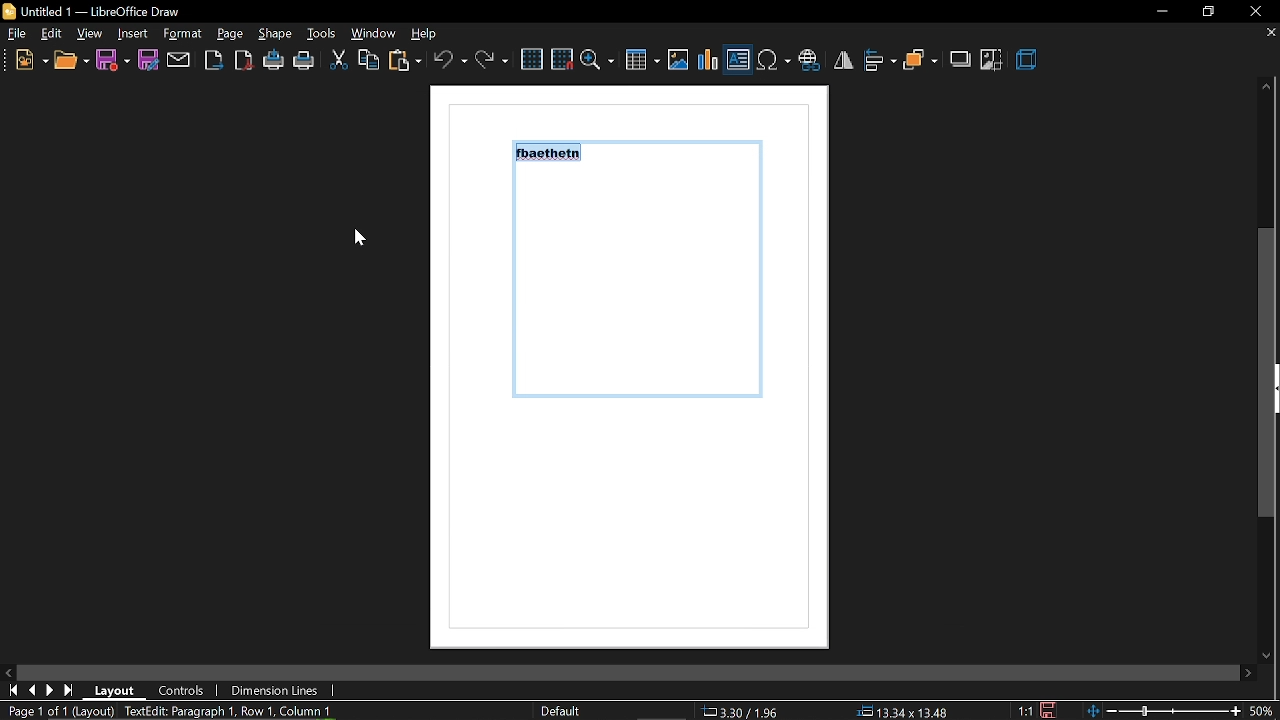  Describe the element at coordinates (368, 61) in the screenshot. I see `copy` at that location.